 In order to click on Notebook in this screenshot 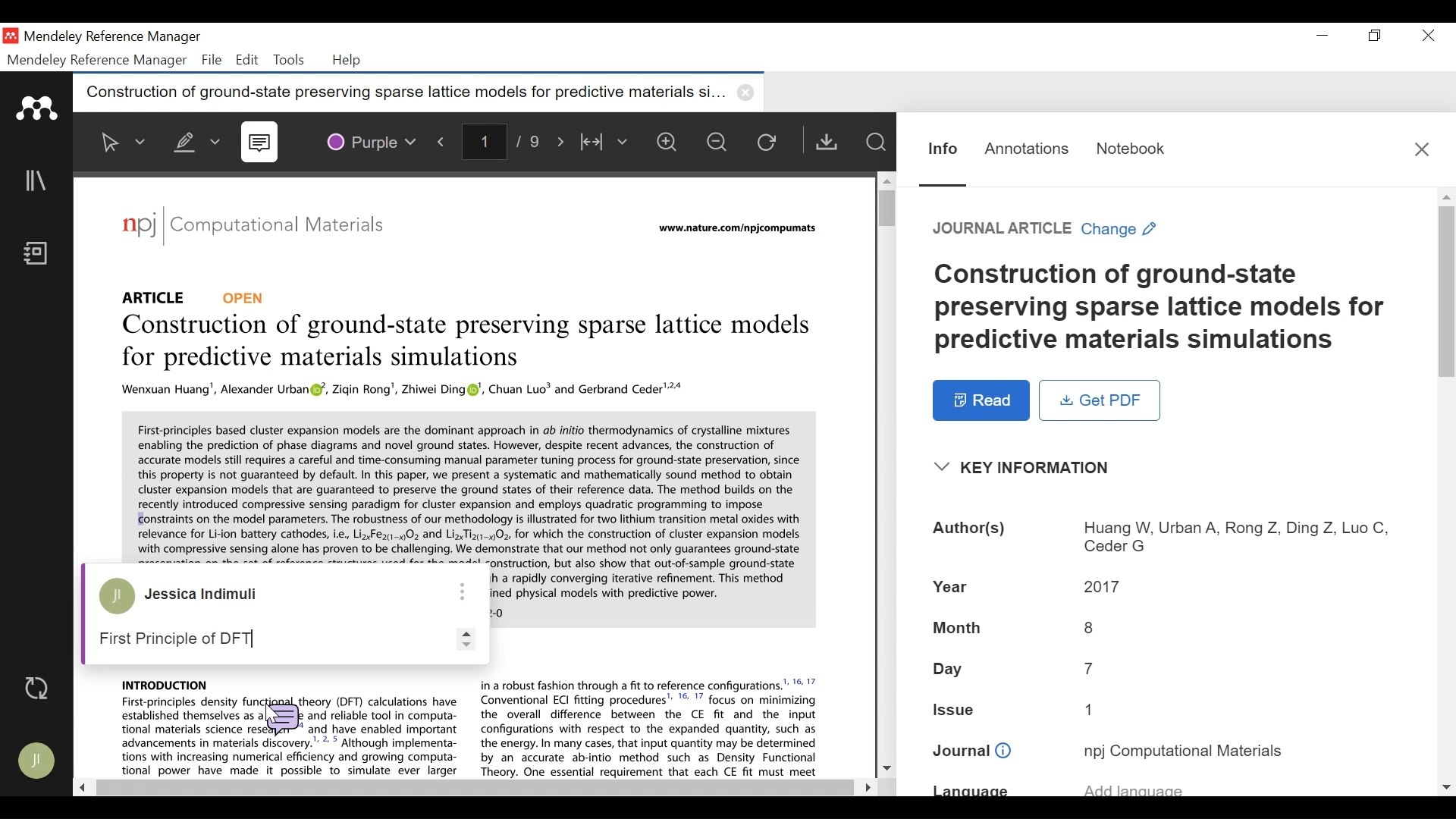, I will do `click(1129, 146)`.